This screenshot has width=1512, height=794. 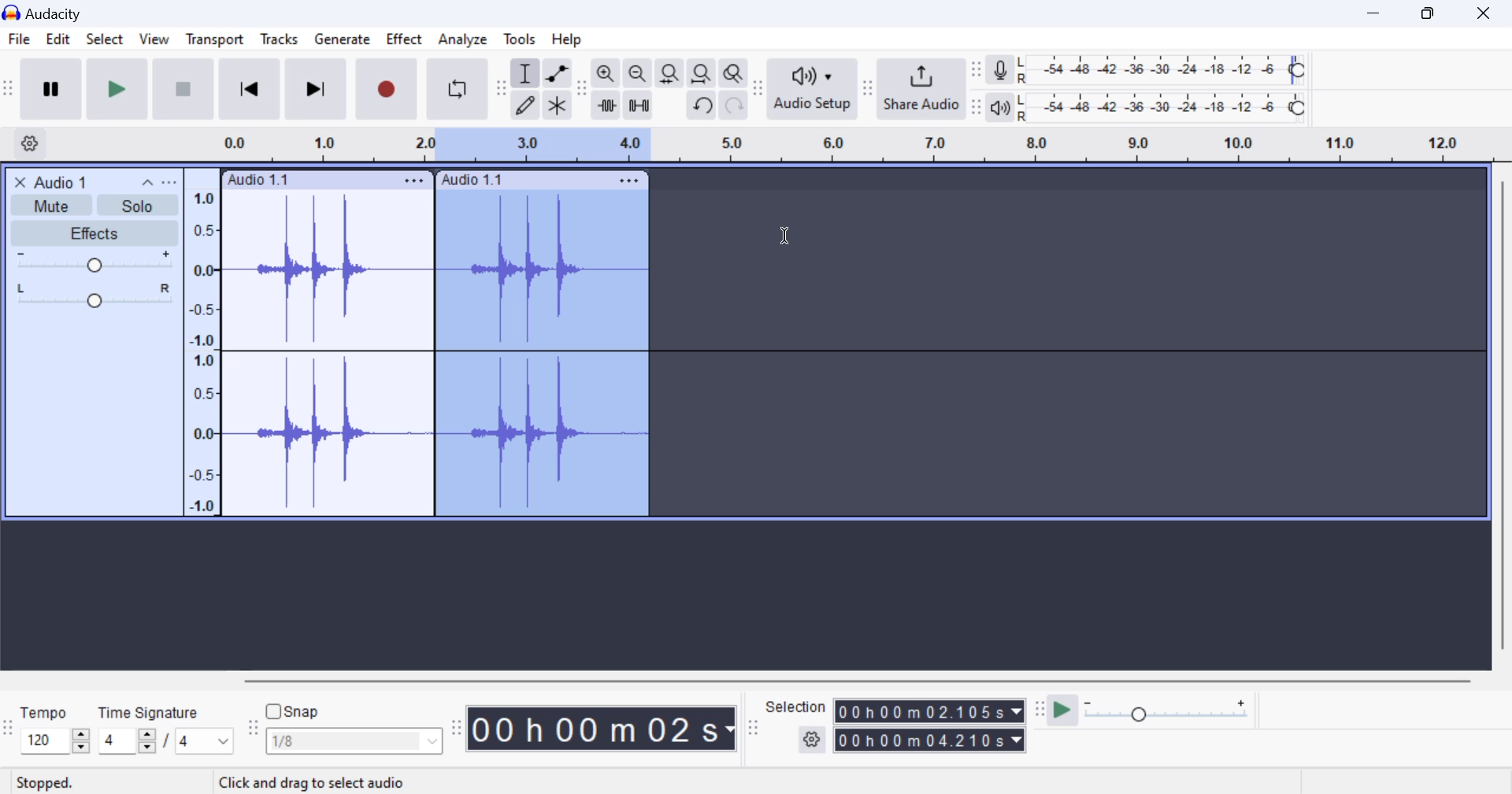 I want to click on Tracks, so click(x=280, y=43).